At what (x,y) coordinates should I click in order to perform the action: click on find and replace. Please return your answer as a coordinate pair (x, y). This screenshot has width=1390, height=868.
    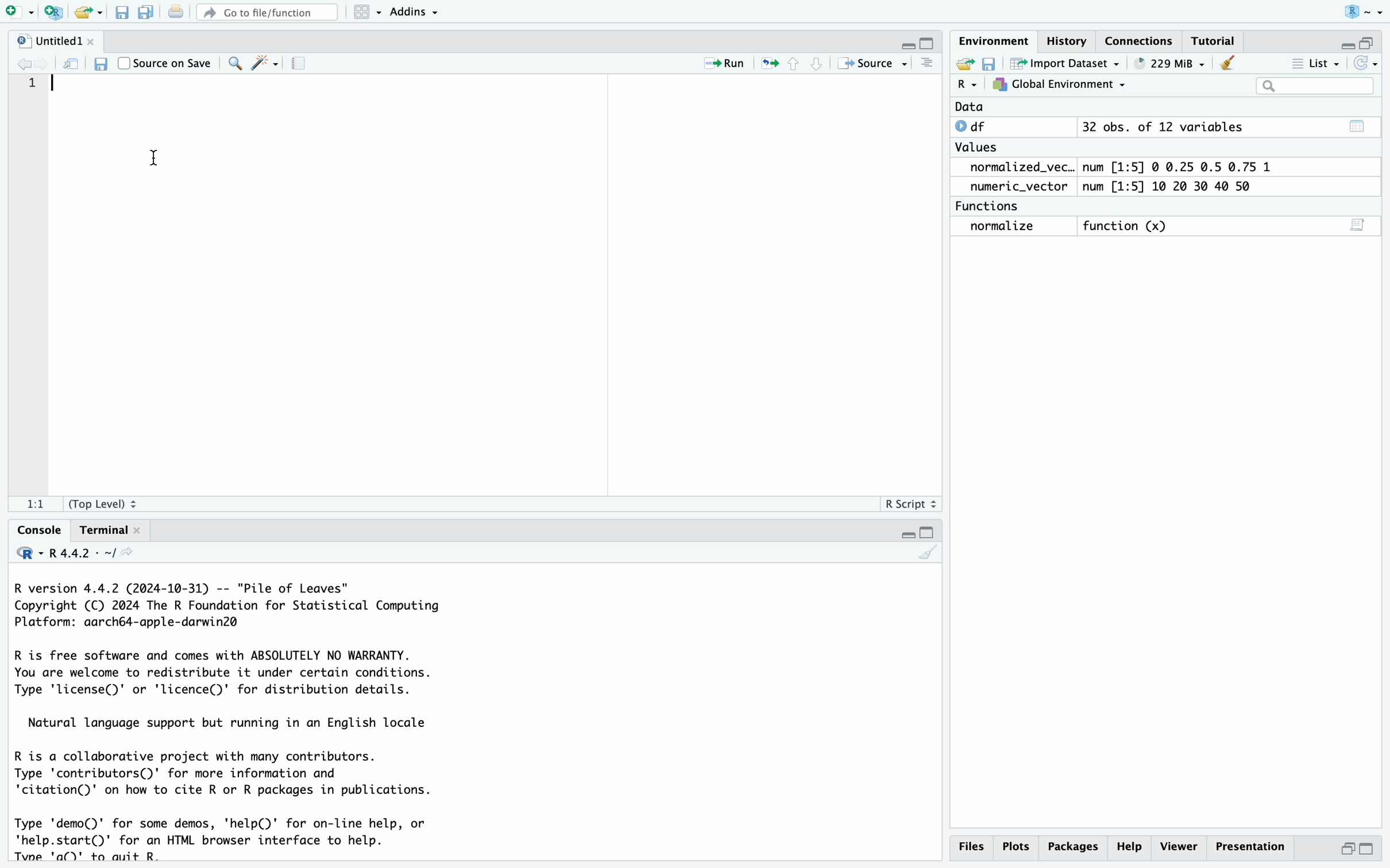
    Looking at the image, I should click on (233, 65).